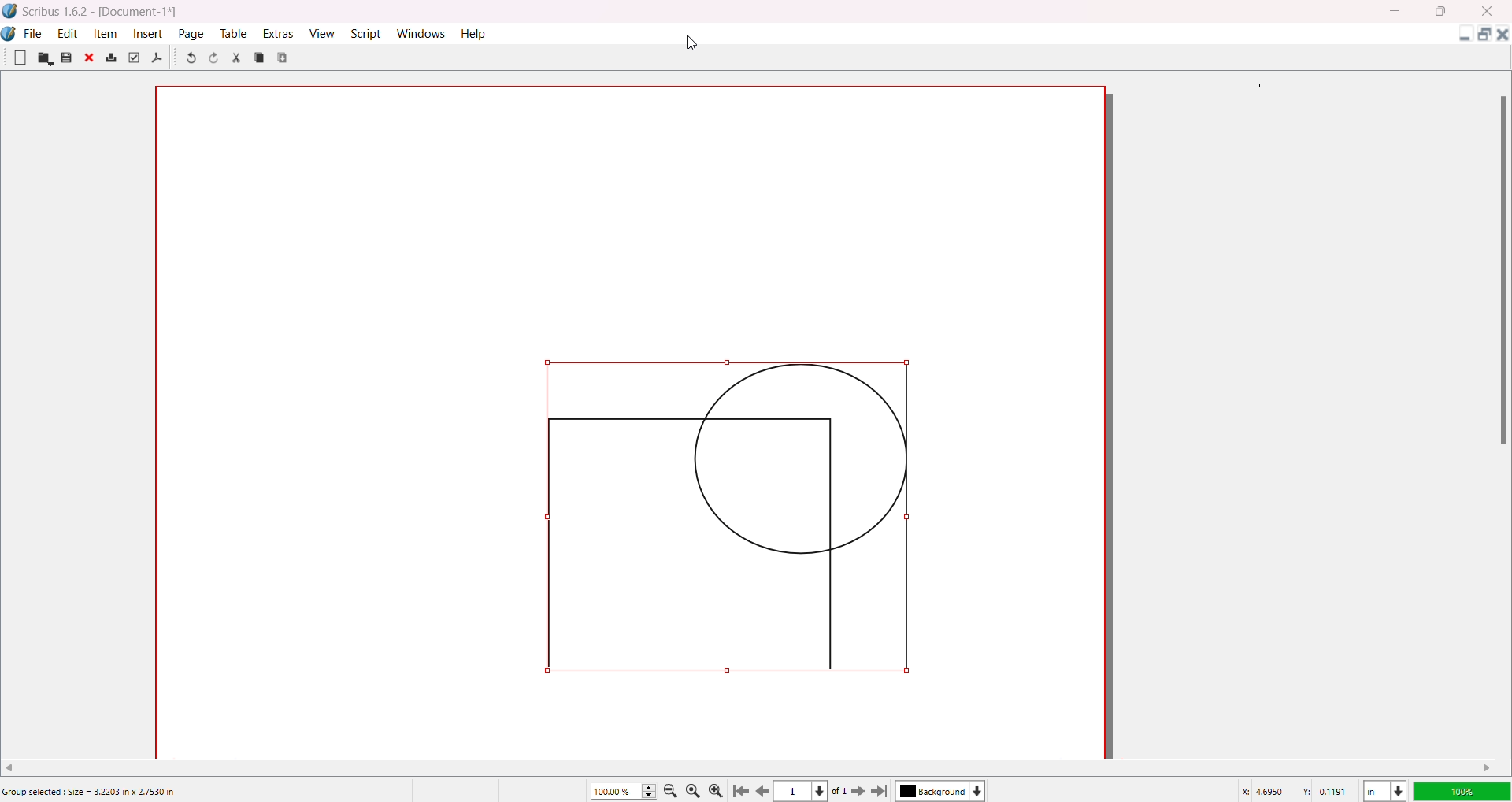 The height and width of the screenshot is (802, 1512). Describe the element at coordinates (719, 789) in the screenshot. I see `Zoom in` at that location.